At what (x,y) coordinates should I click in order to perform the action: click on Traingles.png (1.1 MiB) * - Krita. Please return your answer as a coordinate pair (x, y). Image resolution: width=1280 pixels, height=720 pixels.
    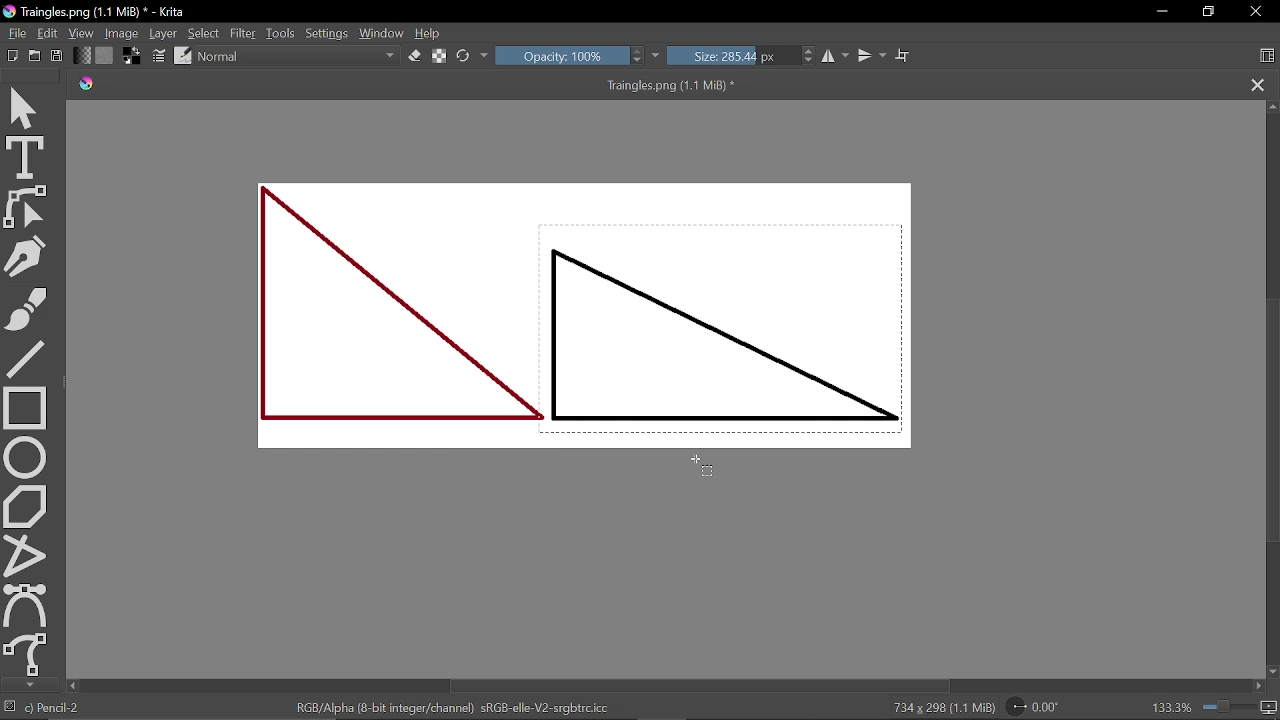
    Looking at the image, I should click on (99, 12).